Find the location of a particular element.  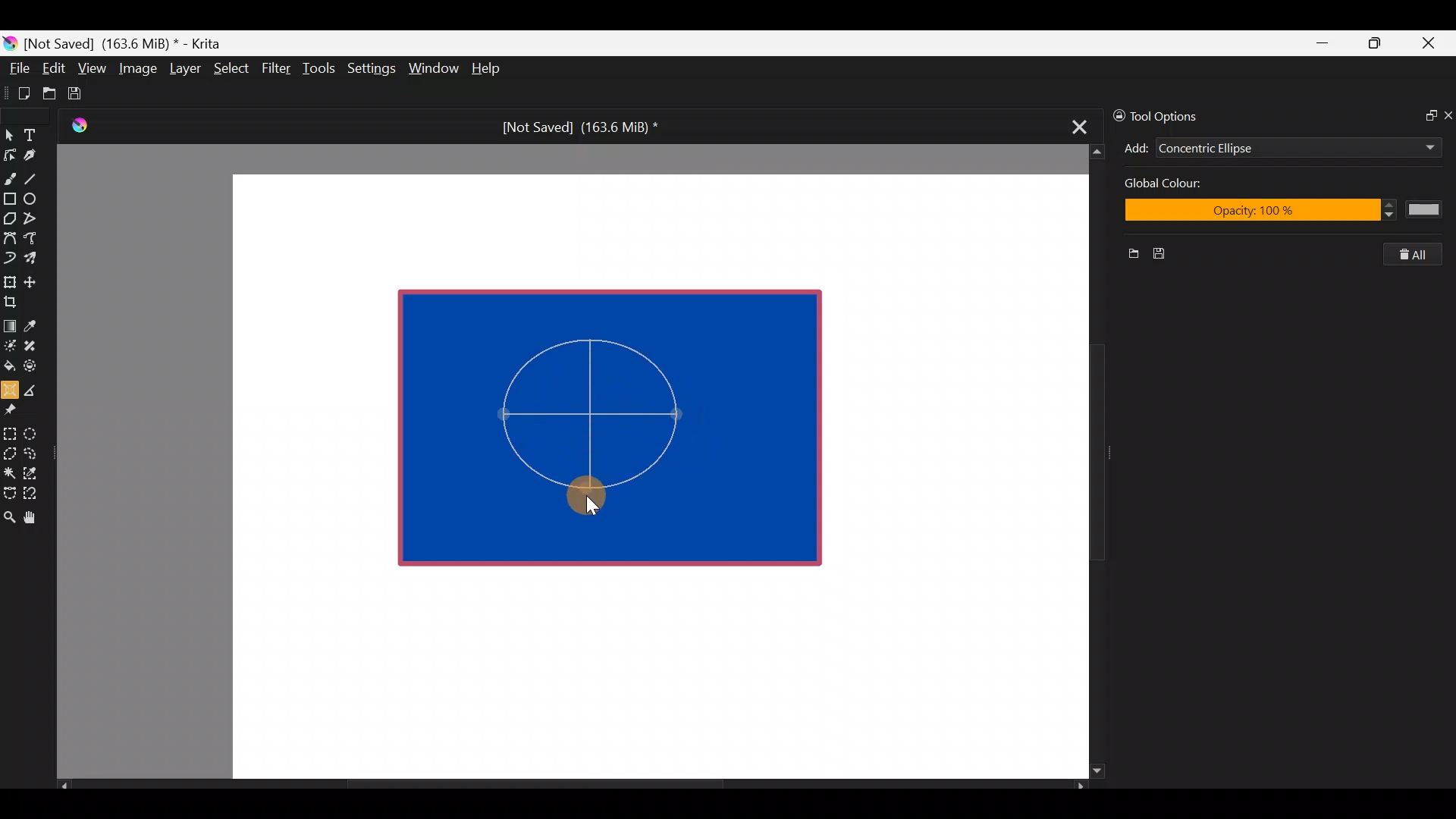

Window is located at coordinates (433, 70).